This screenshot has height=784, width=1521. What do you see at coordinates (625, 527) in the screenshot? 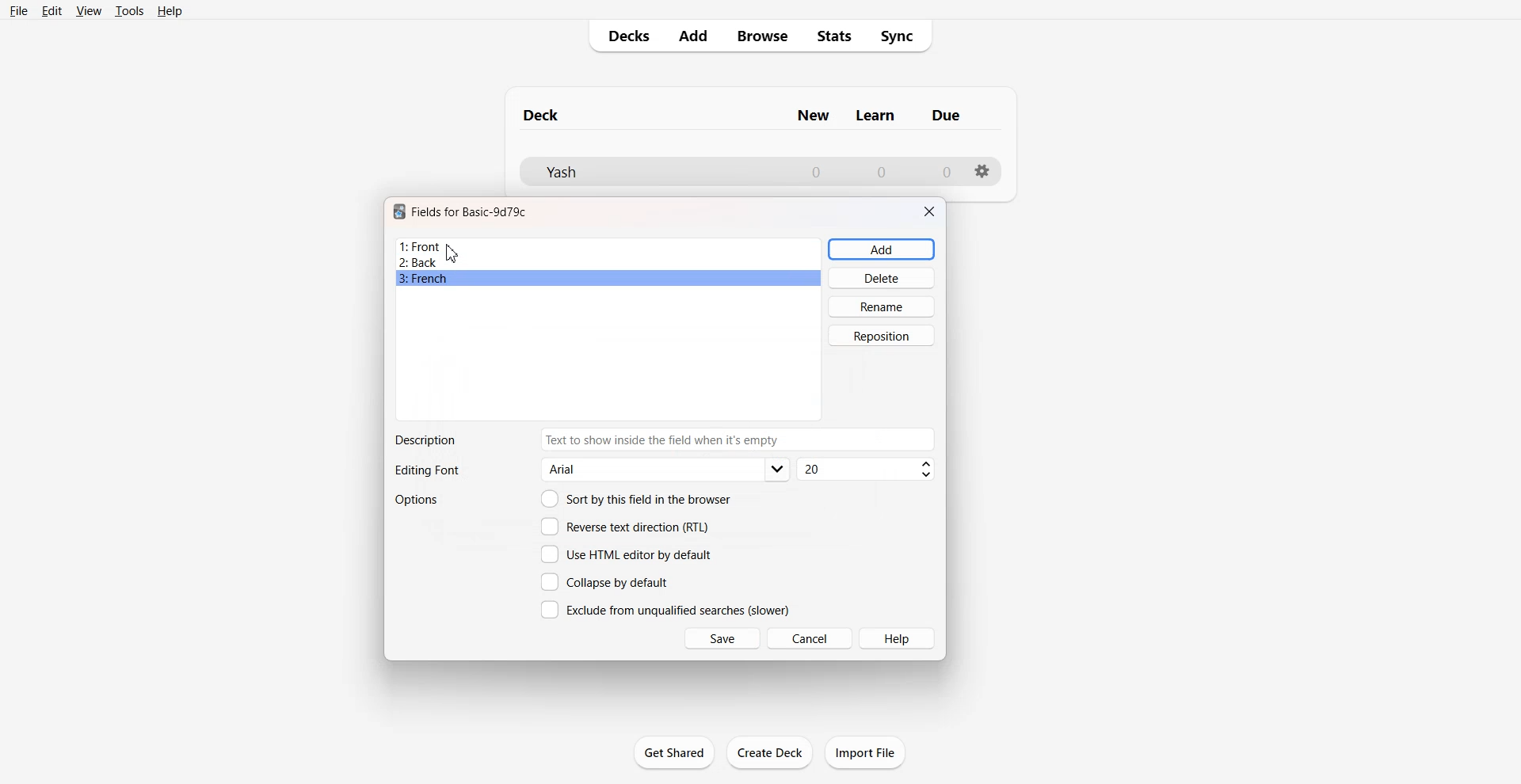
I see `Reverse text direction (RTL)` at bounding box center [625, 527].